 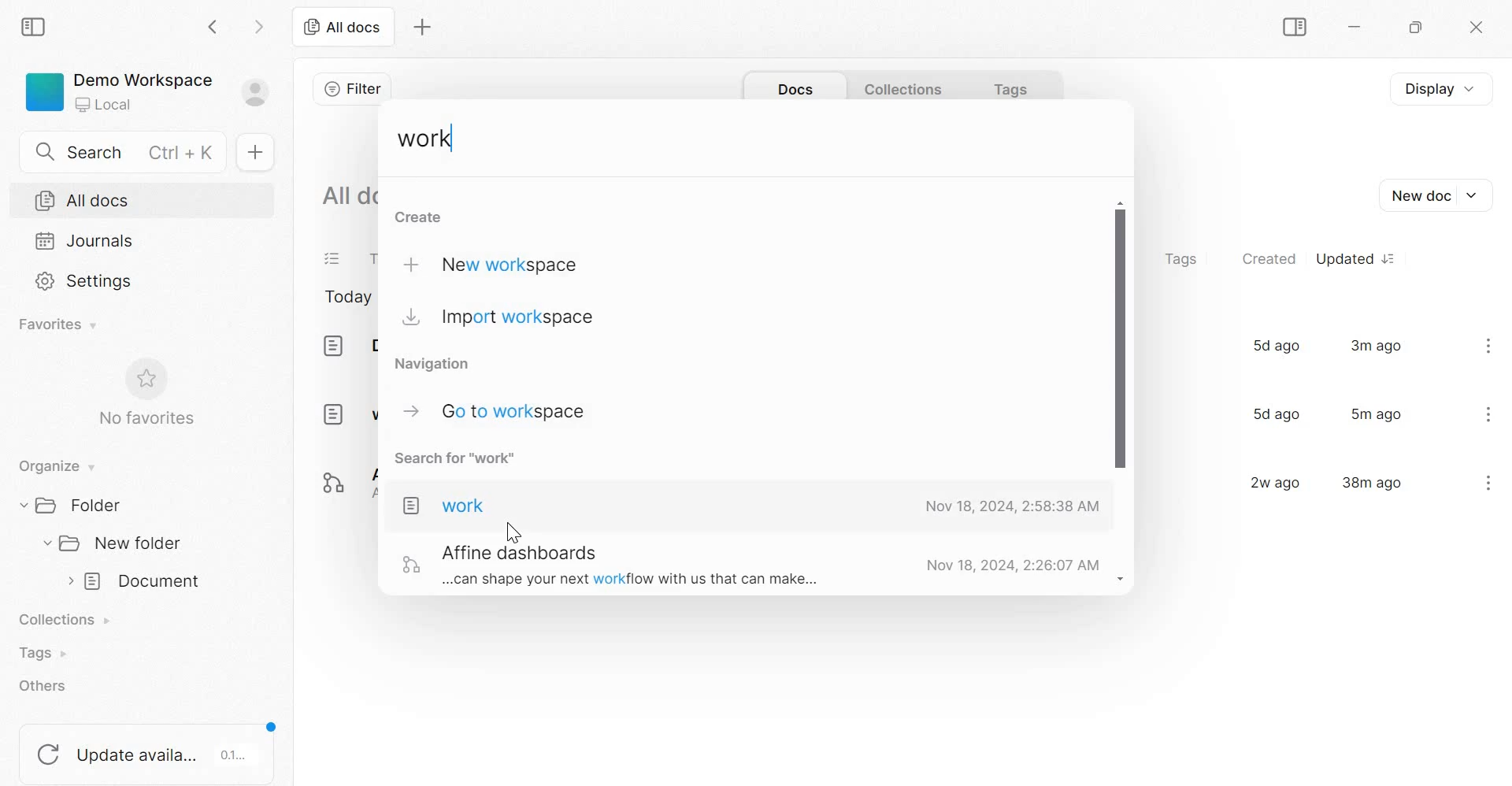 I want to click on Favorites, so click(x=59, y=324).